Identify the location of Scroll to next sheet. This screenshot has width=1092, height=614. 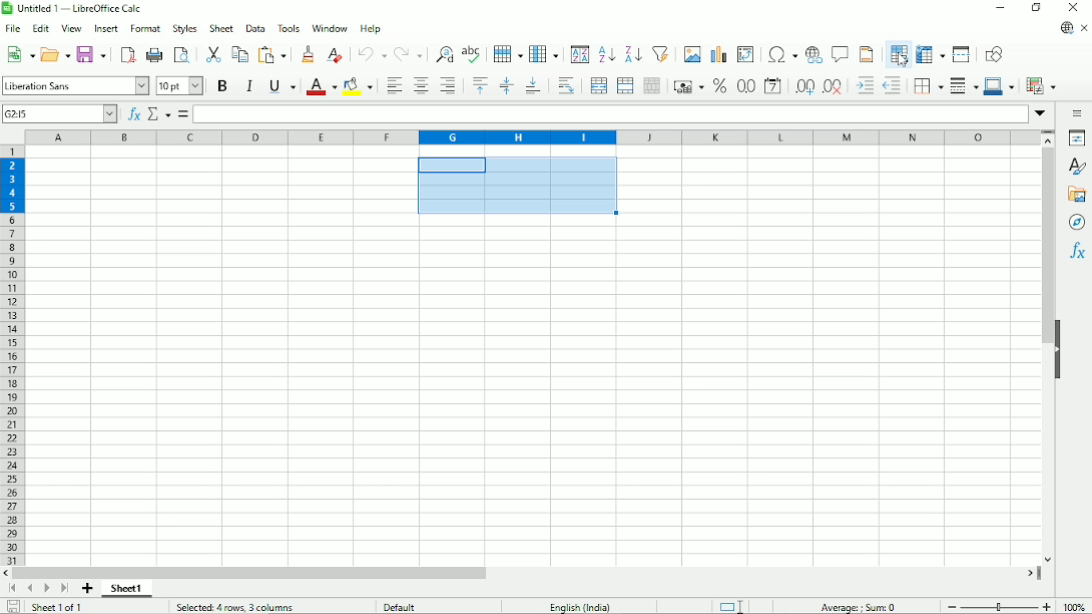
(44, 588).